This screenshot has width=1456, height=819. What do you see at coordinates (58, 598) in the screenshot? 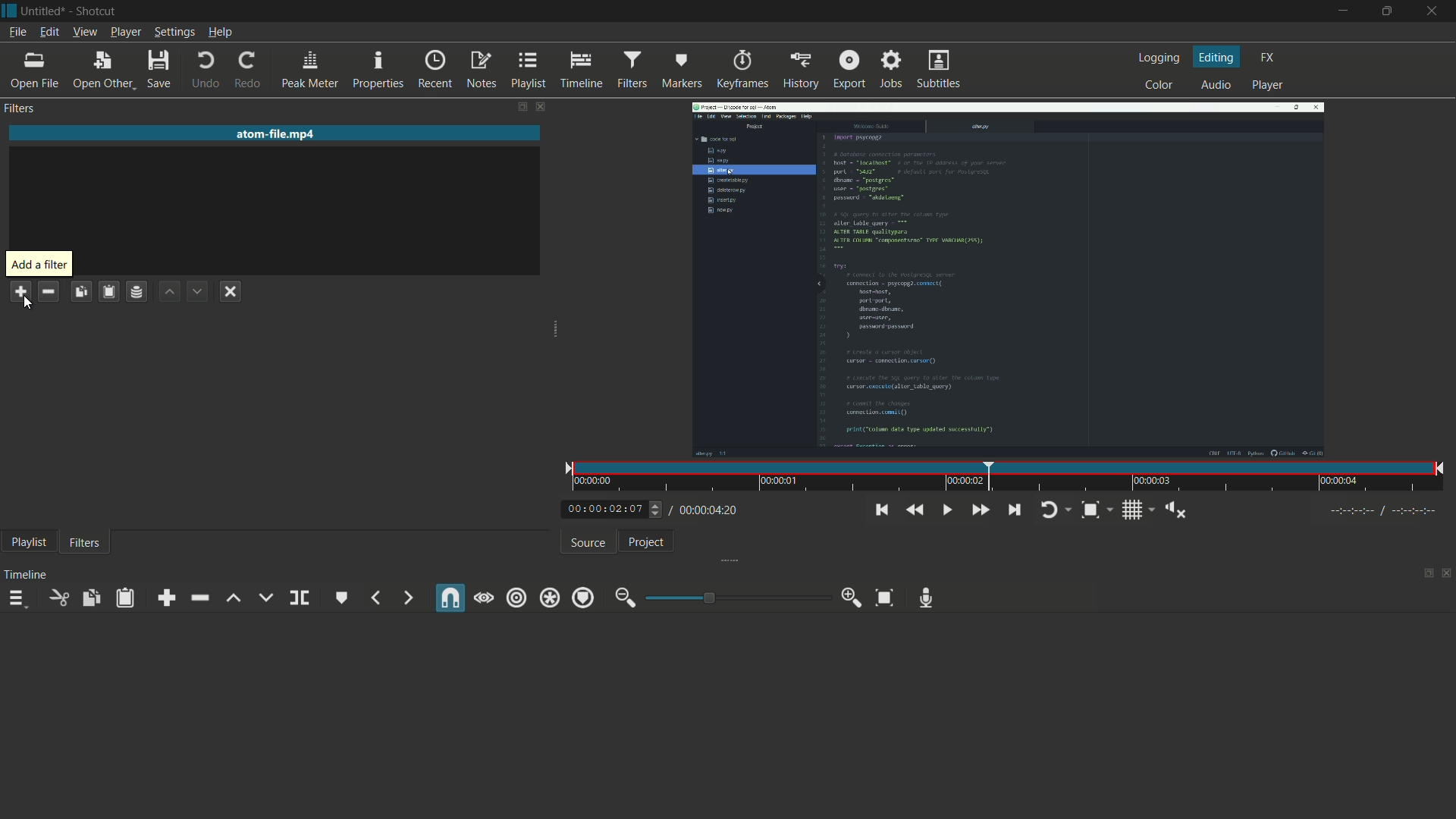
I see `cut` at bounding box center [58, 598].